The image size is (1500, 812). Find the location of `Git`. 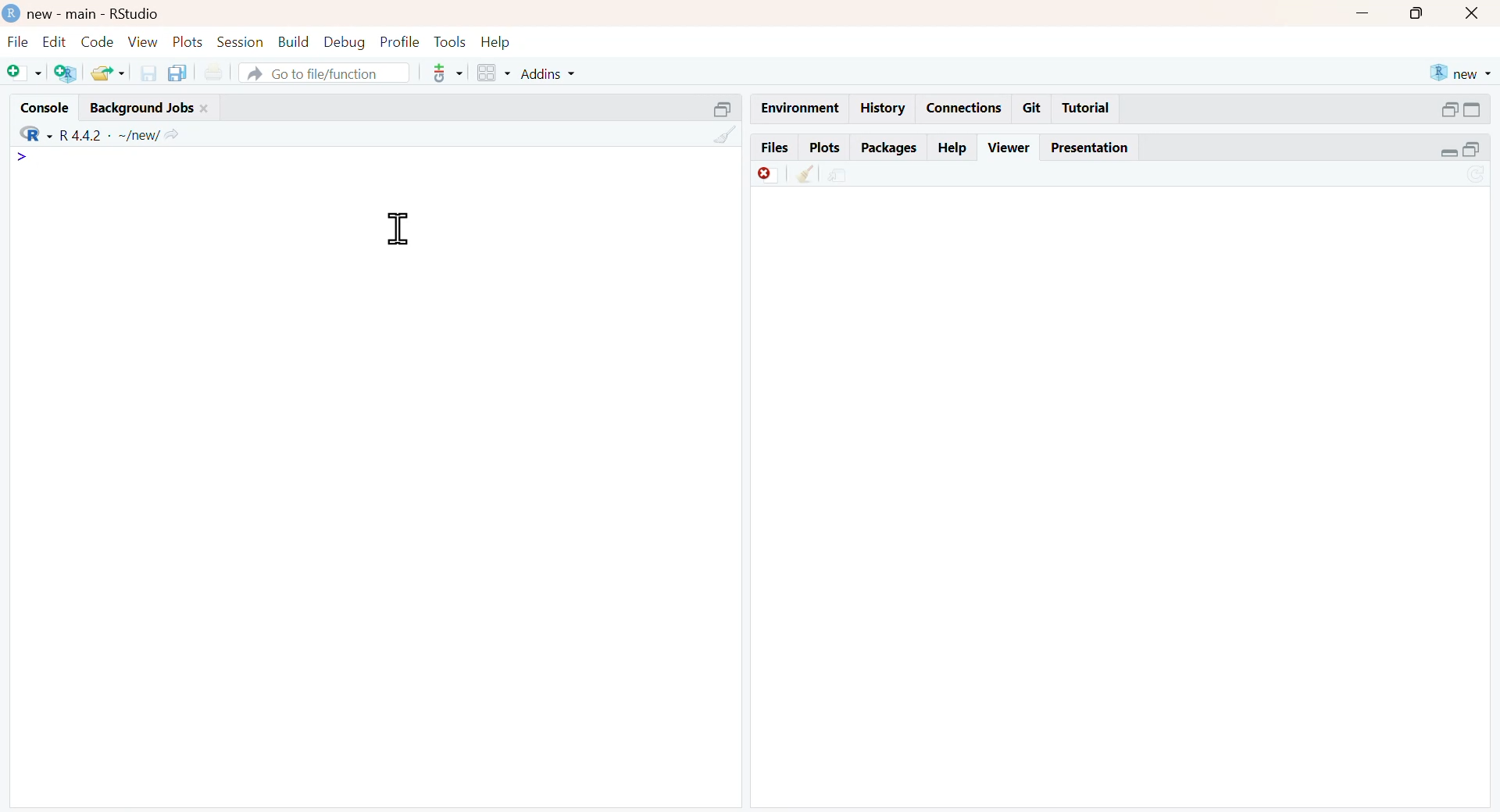

Git is located at coordinates (1033, 107).